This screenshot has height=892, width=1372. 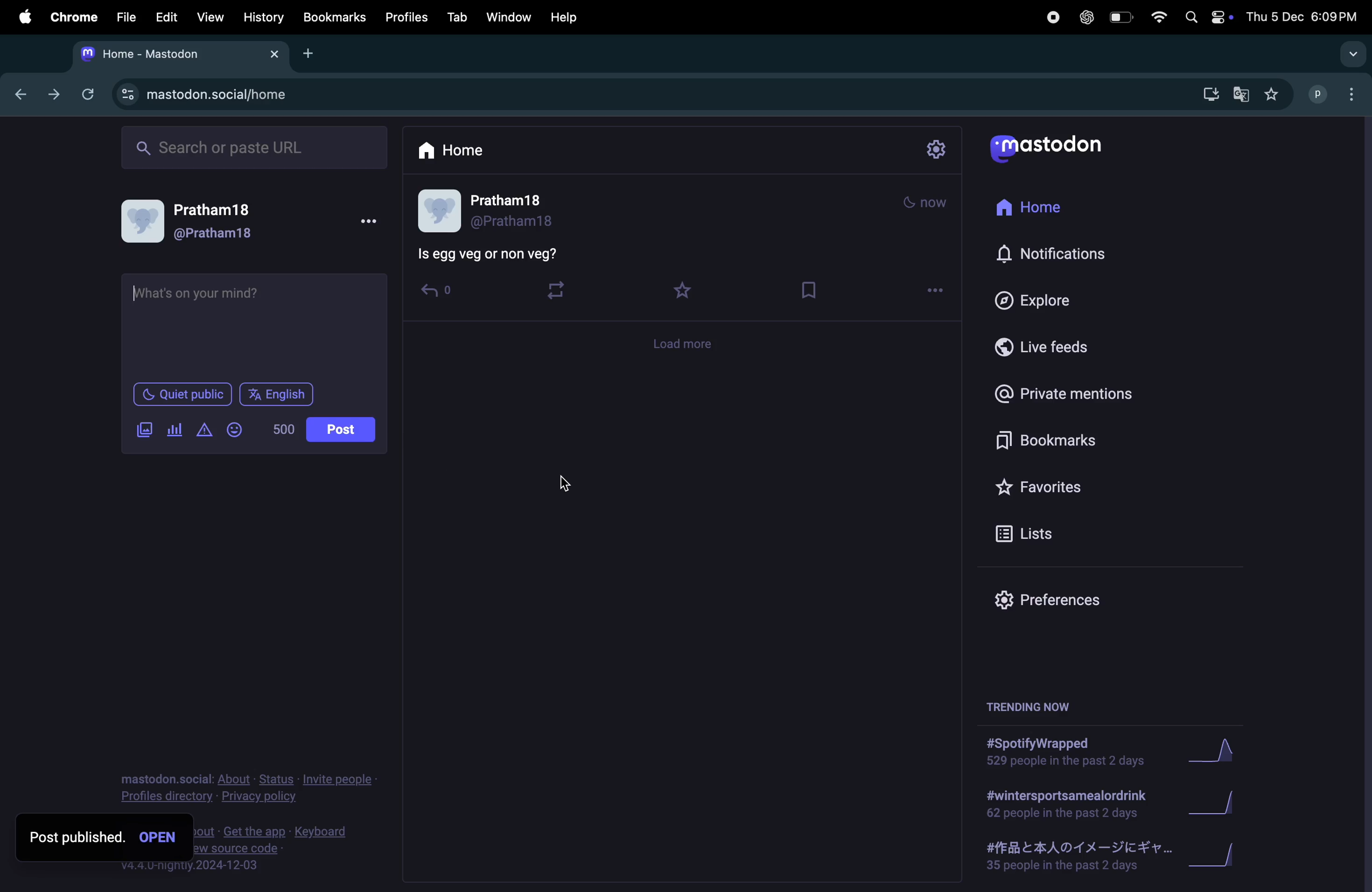 I want to click on settings, so click(x=935, y=151).